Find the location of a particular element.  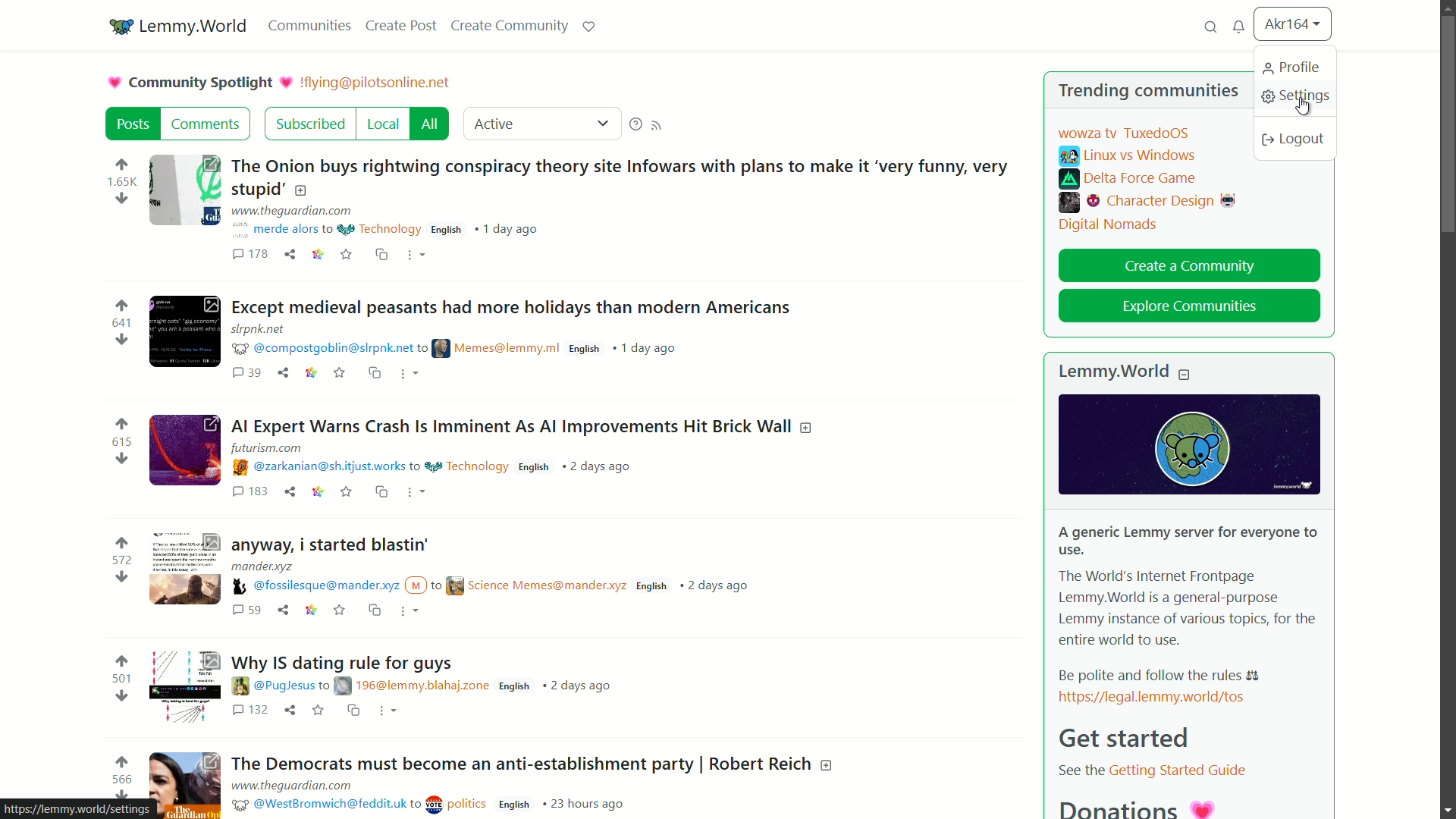

post-2 is located at coordinates (513, 303).